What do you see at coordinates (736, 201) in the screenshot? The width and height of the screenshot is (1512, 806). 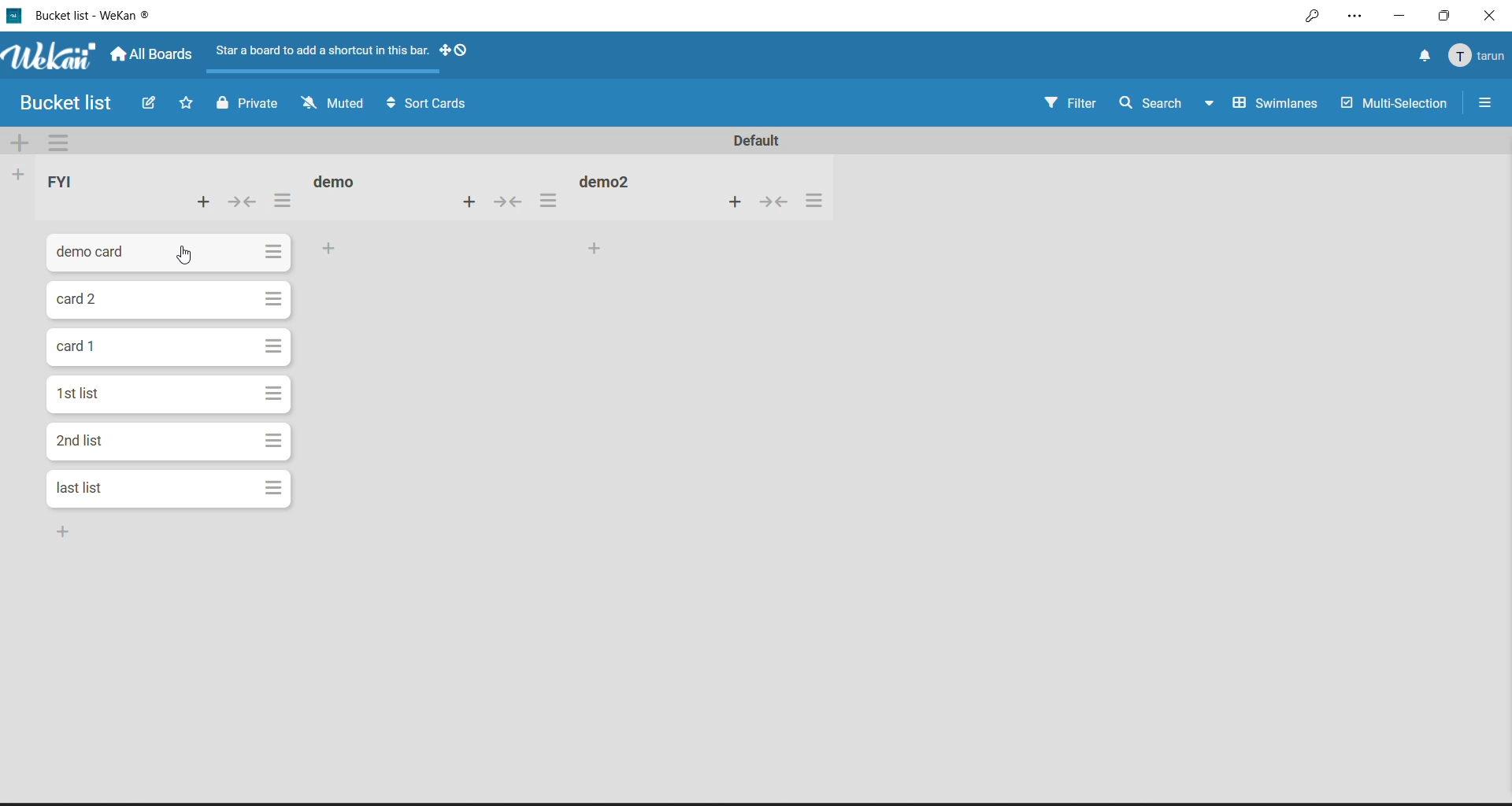 I see `add card to top` at bounding box center [736, 201].